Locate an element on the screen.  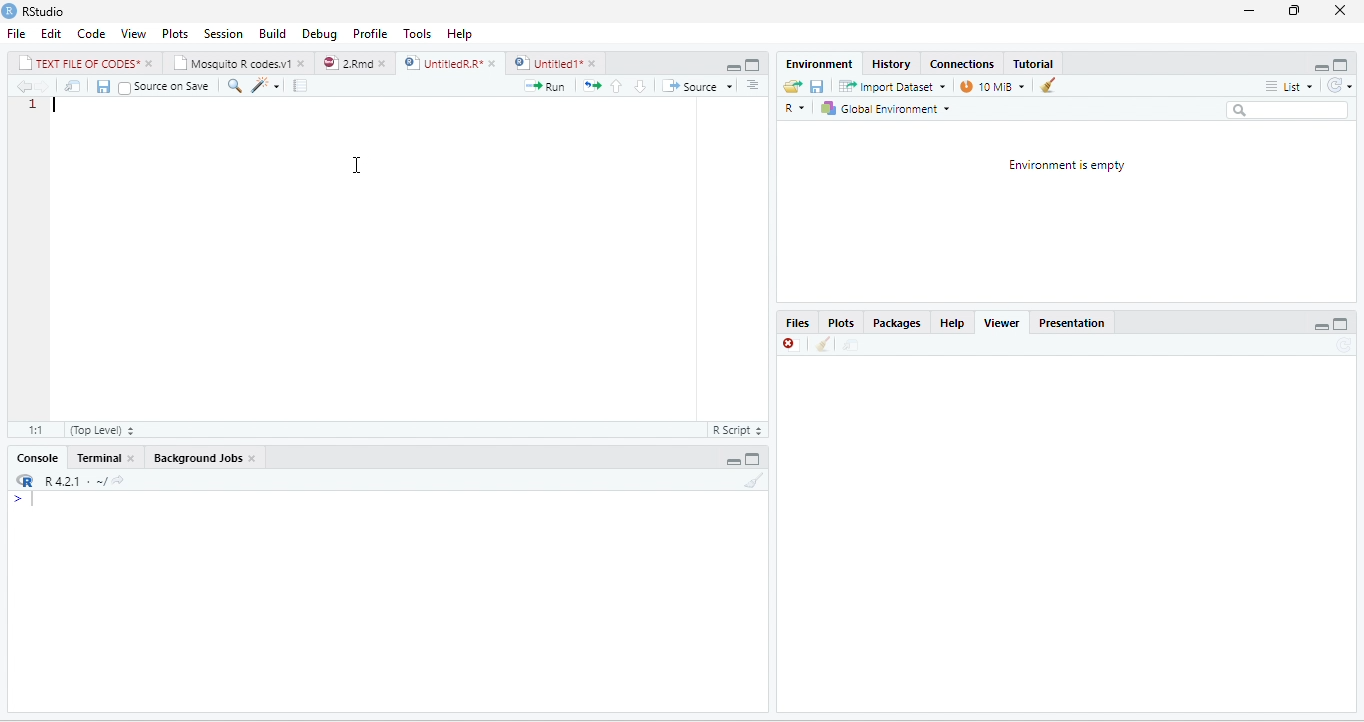
) | Untitled 1* is located at coordinates (547, 63).